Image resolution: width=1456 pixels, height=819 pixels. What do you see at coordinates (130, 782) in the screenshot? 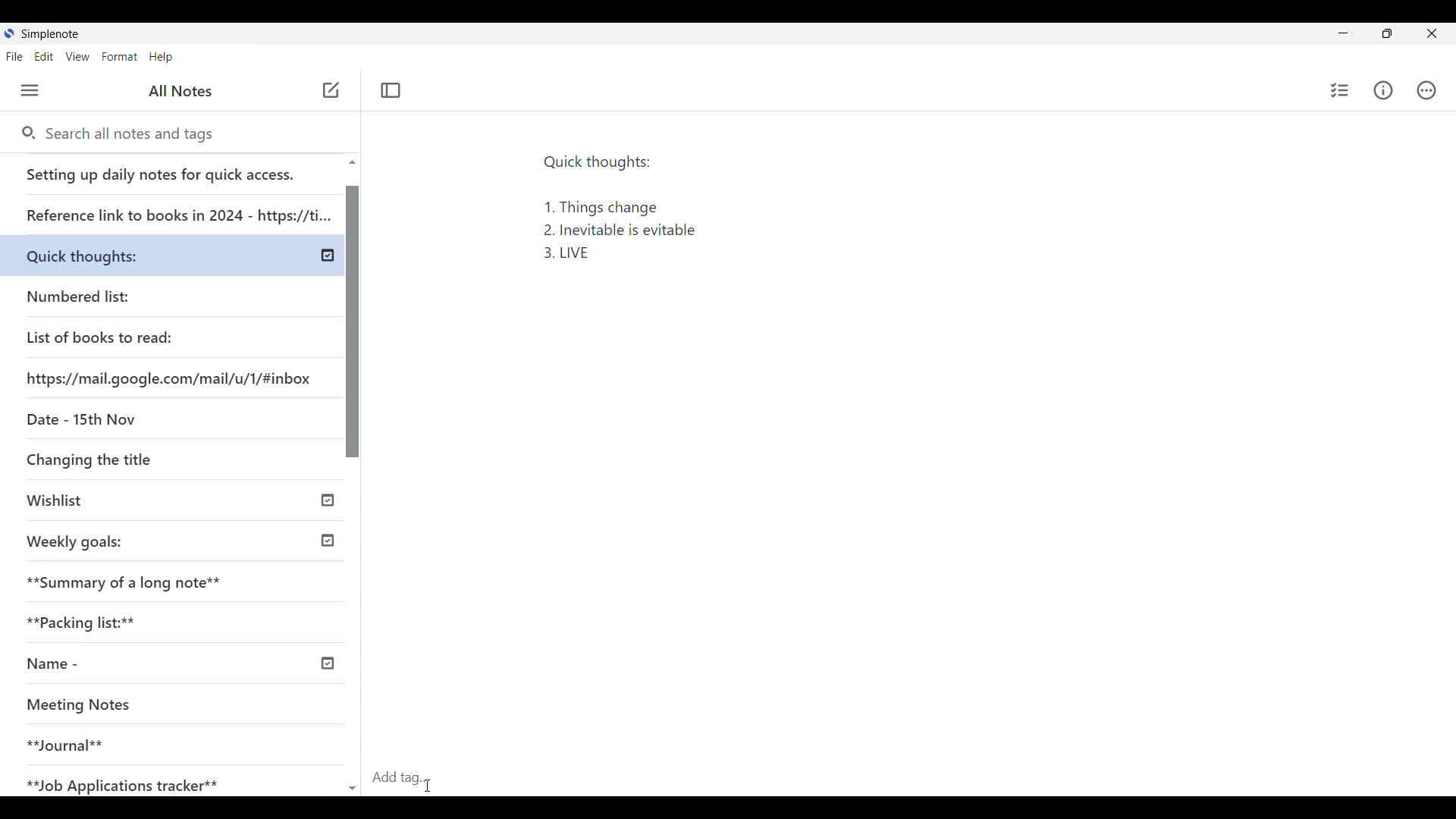
I see `Job Application tracker` at bounding box center [130, 782].